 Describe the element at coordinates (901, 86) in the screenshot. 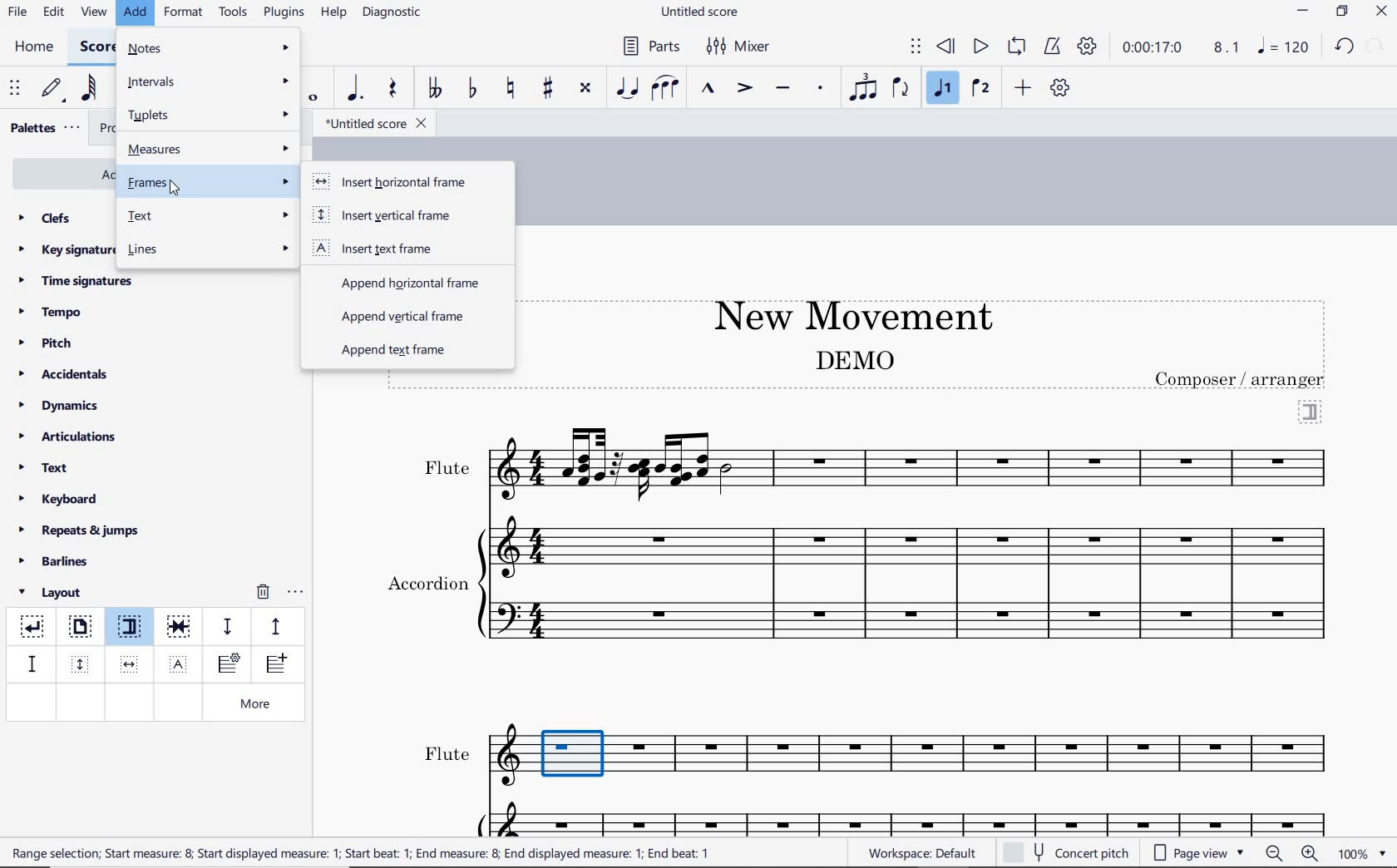

I see `flip direction` at that location.